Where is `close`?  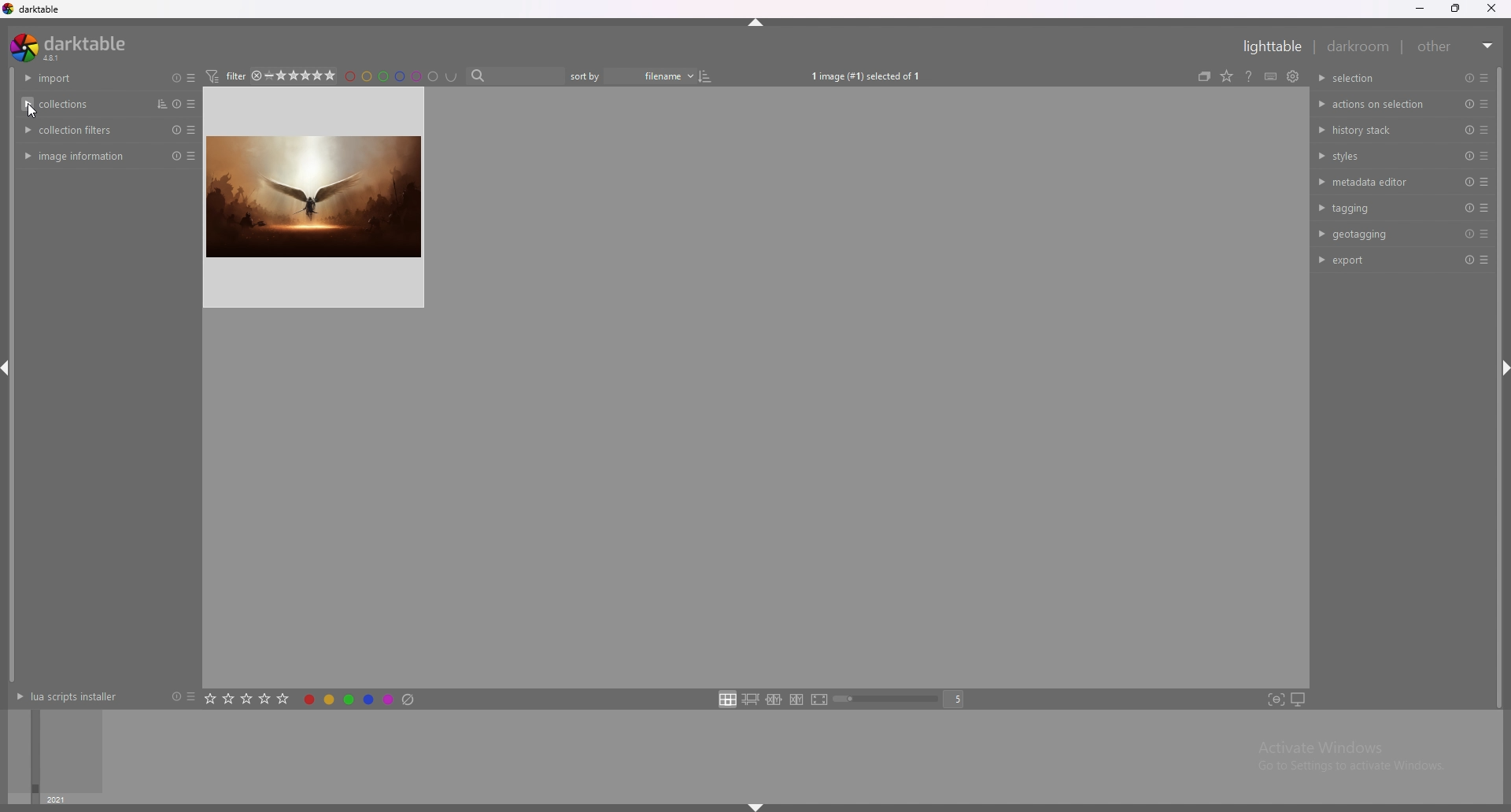
close is located at coordinates (1494, 9).